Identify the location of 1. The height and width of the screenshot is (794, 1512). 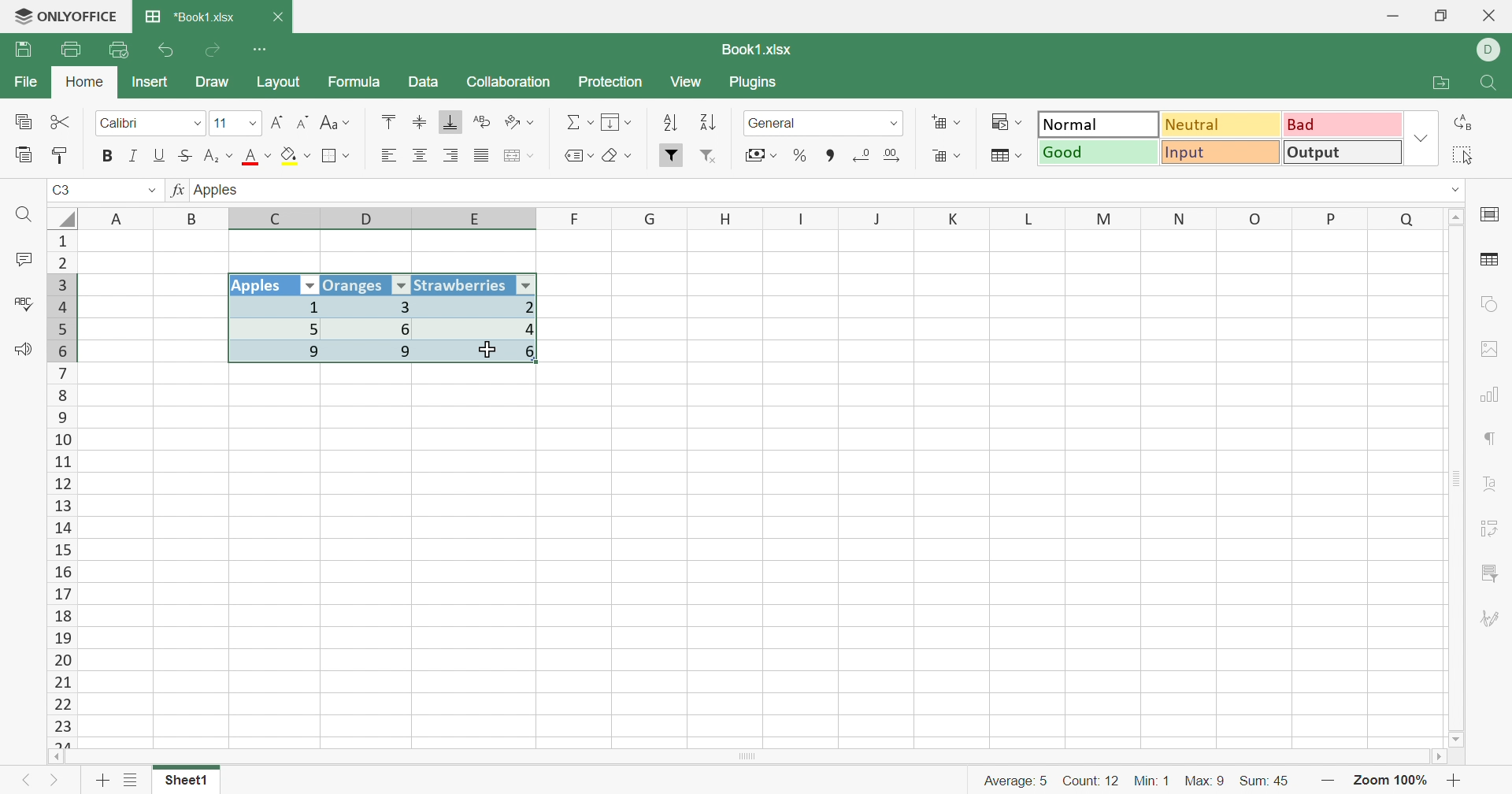
(273, 307).